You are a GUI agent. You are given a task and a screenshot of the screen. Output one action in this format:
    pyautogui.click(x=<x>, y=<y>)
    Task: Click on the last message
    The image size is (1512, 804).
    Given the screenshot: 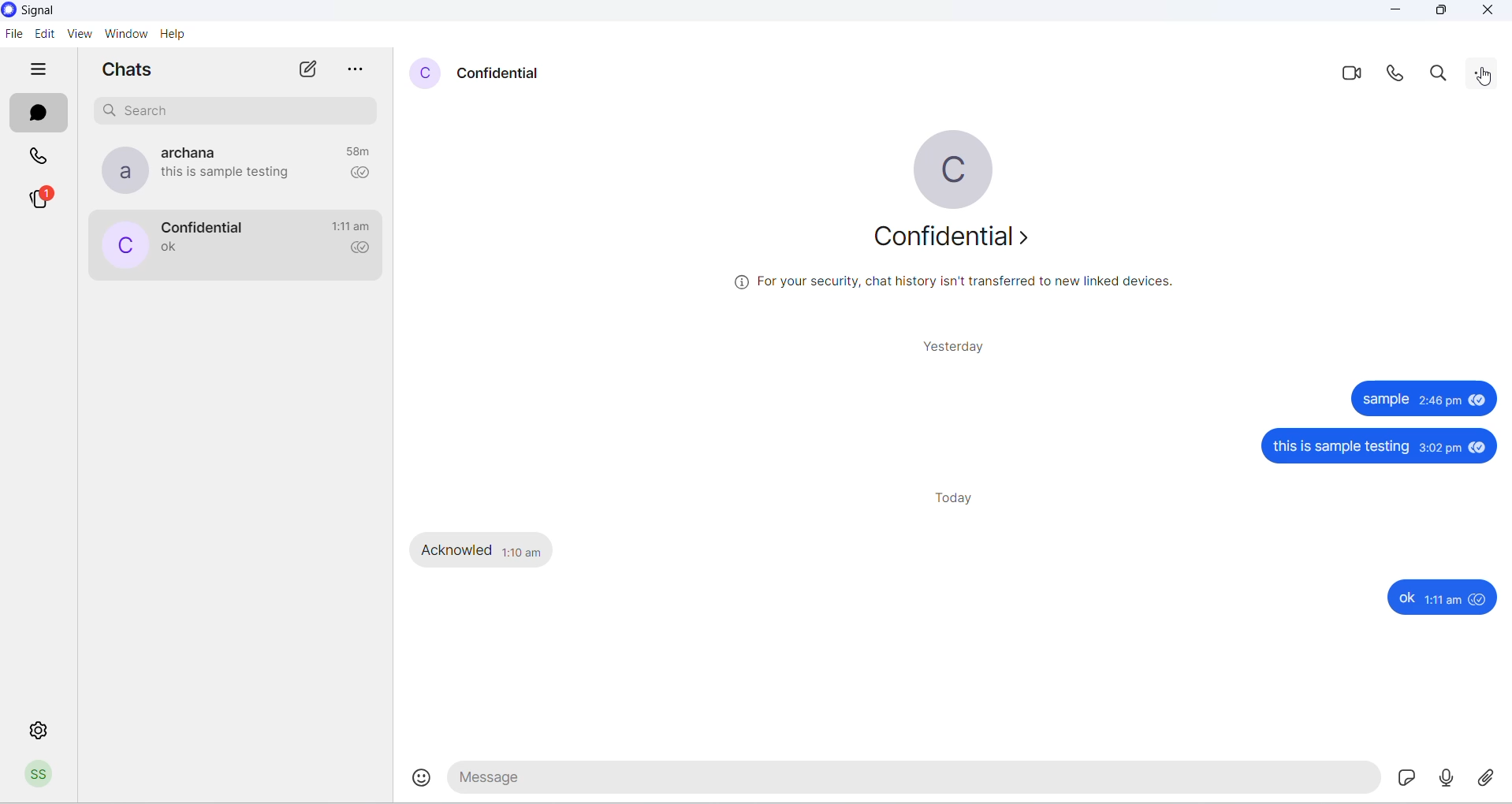 What is the action you would take?
    pyautogui.click(x=230, y=173)
    